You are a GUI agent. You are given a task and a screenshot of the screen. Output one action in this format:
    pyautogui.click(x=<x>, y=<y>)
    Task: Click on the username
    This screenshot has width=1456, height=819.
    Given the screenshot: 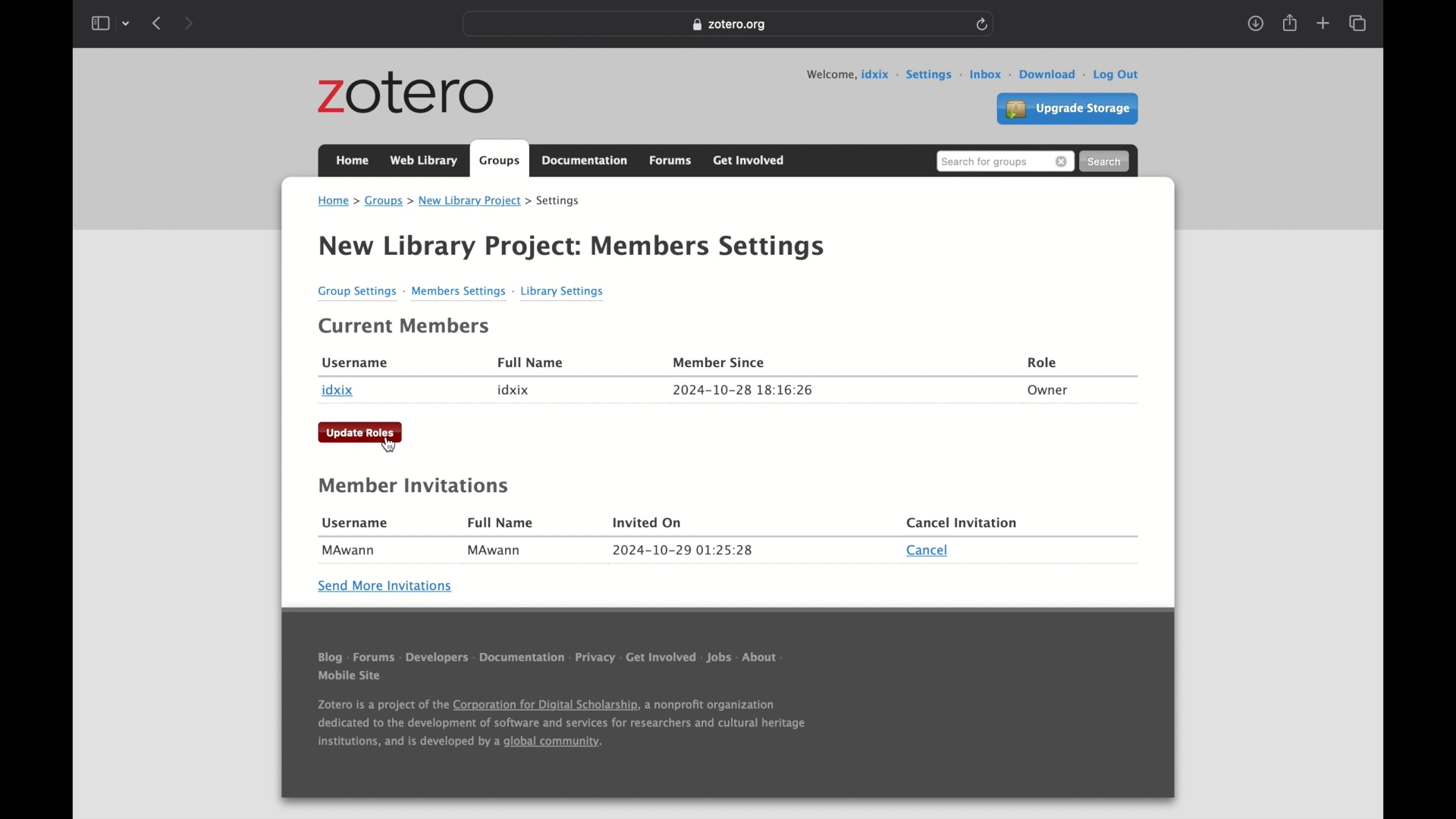 What is the action you would take?
    pyautogui.click(x=354, y=363)
    